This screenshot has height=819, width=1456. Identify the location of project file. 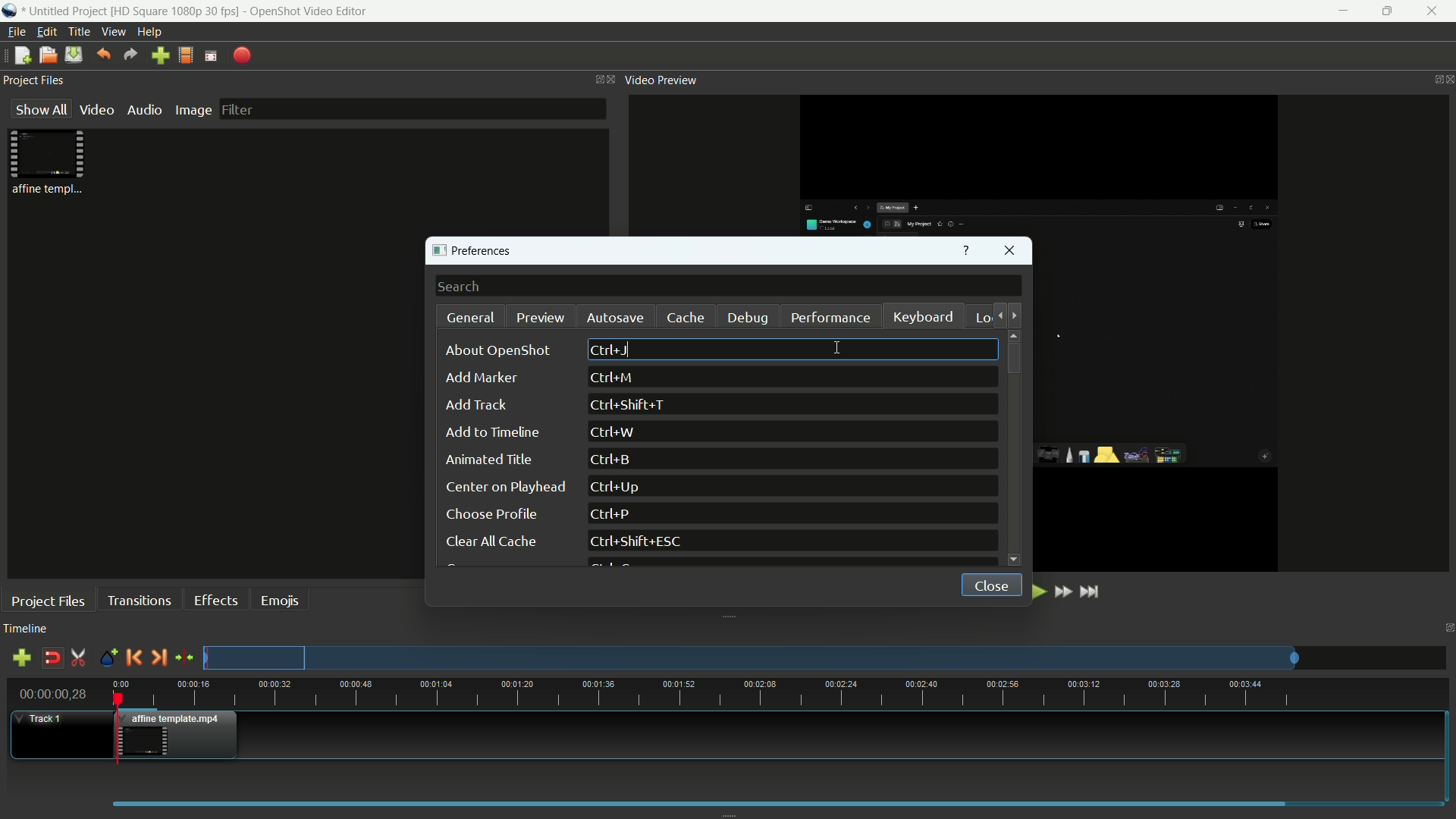
(49, 162).